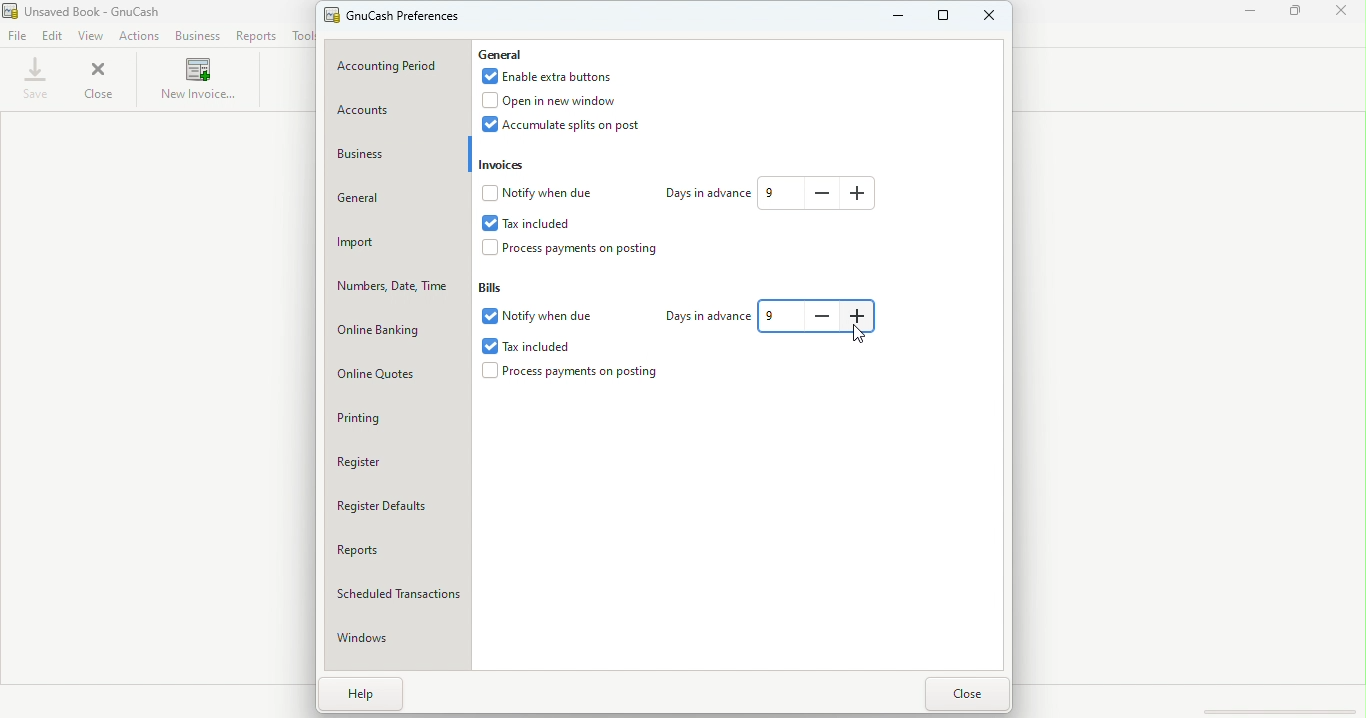 The width and height of the screenshot is (1366, 718). Describe the element at coordinates (562, 102) in the screenshot. I see `Open in new window` at that location.